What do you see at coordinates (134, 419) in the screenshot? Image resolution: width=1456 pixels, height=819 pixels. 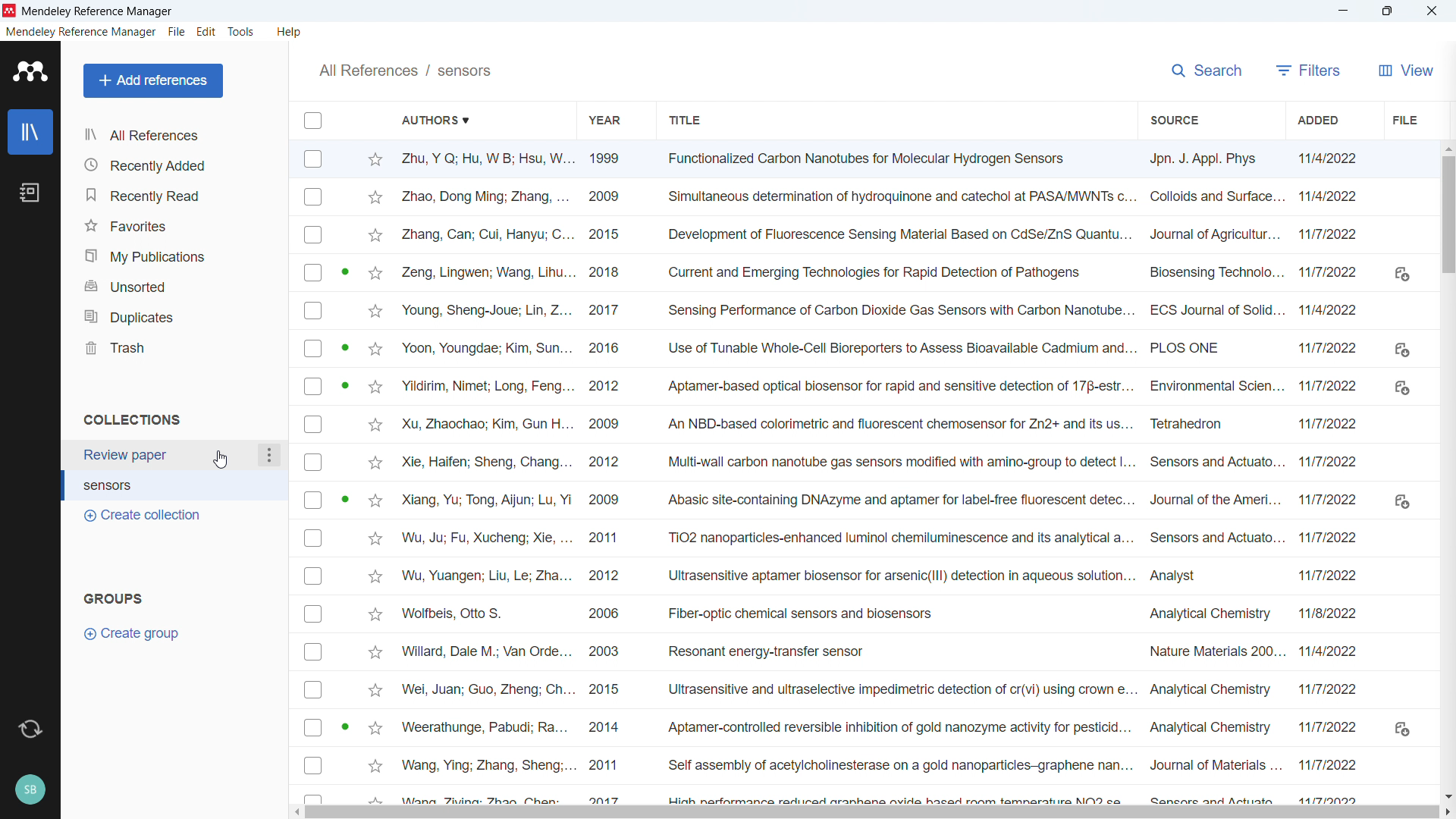 I see `Collections ` at bounding box center [134, 419].